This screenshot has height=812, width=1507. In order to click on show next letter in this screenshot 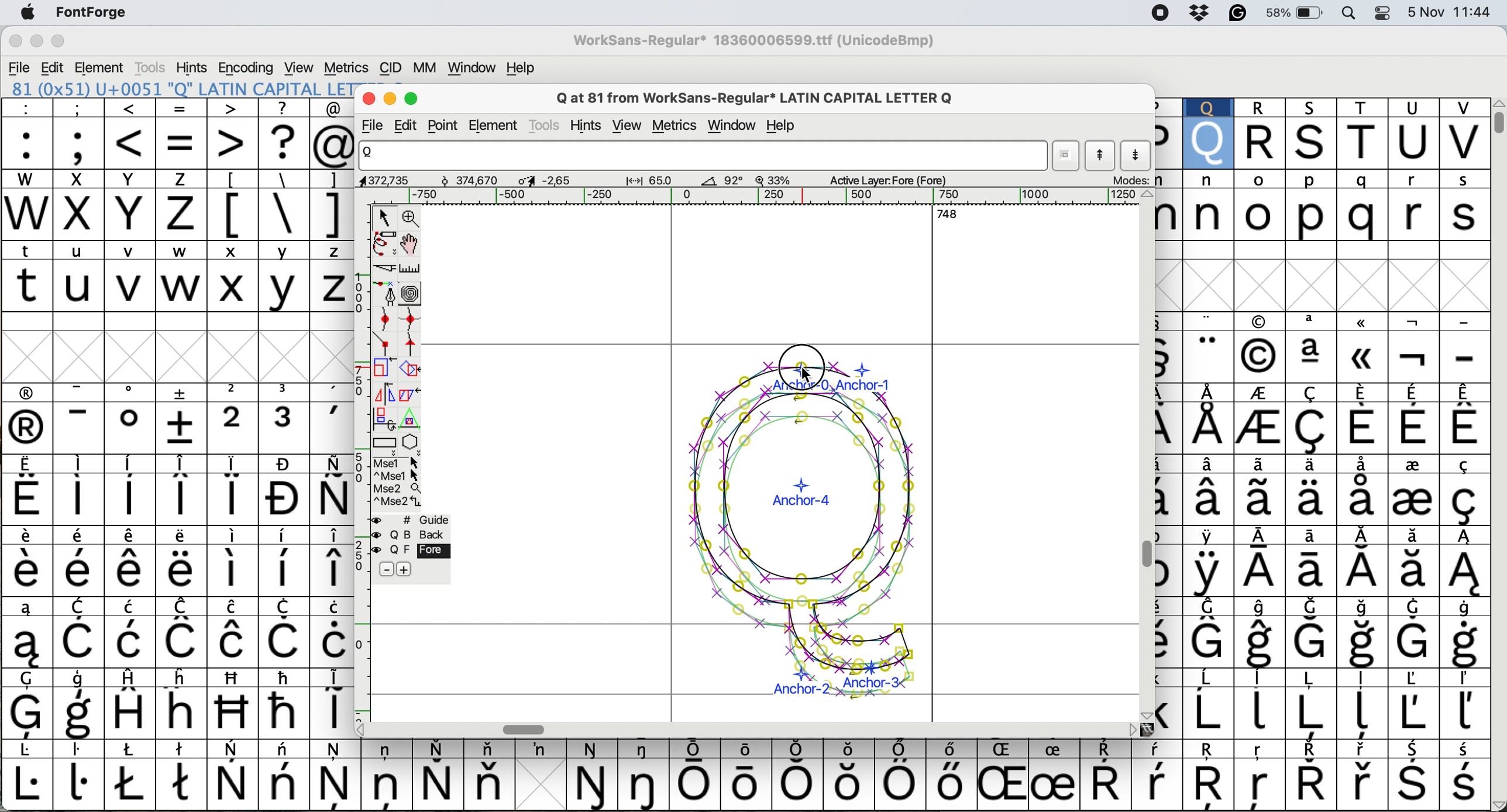, I will do `click(1137, 157)`.